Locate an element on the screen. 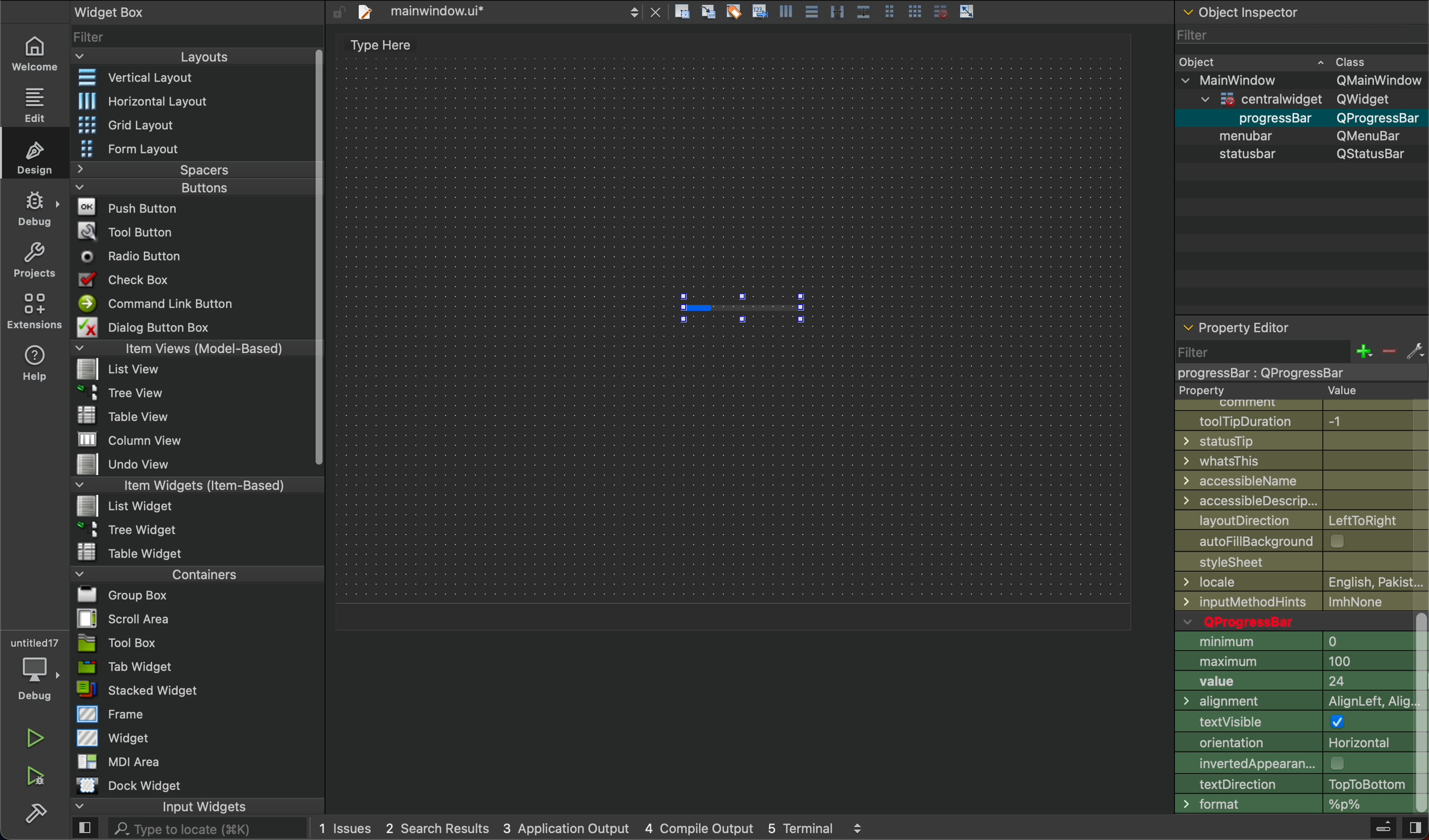 This screenshot has height=840, width=1429. value is located at coordinates (1294, 684).